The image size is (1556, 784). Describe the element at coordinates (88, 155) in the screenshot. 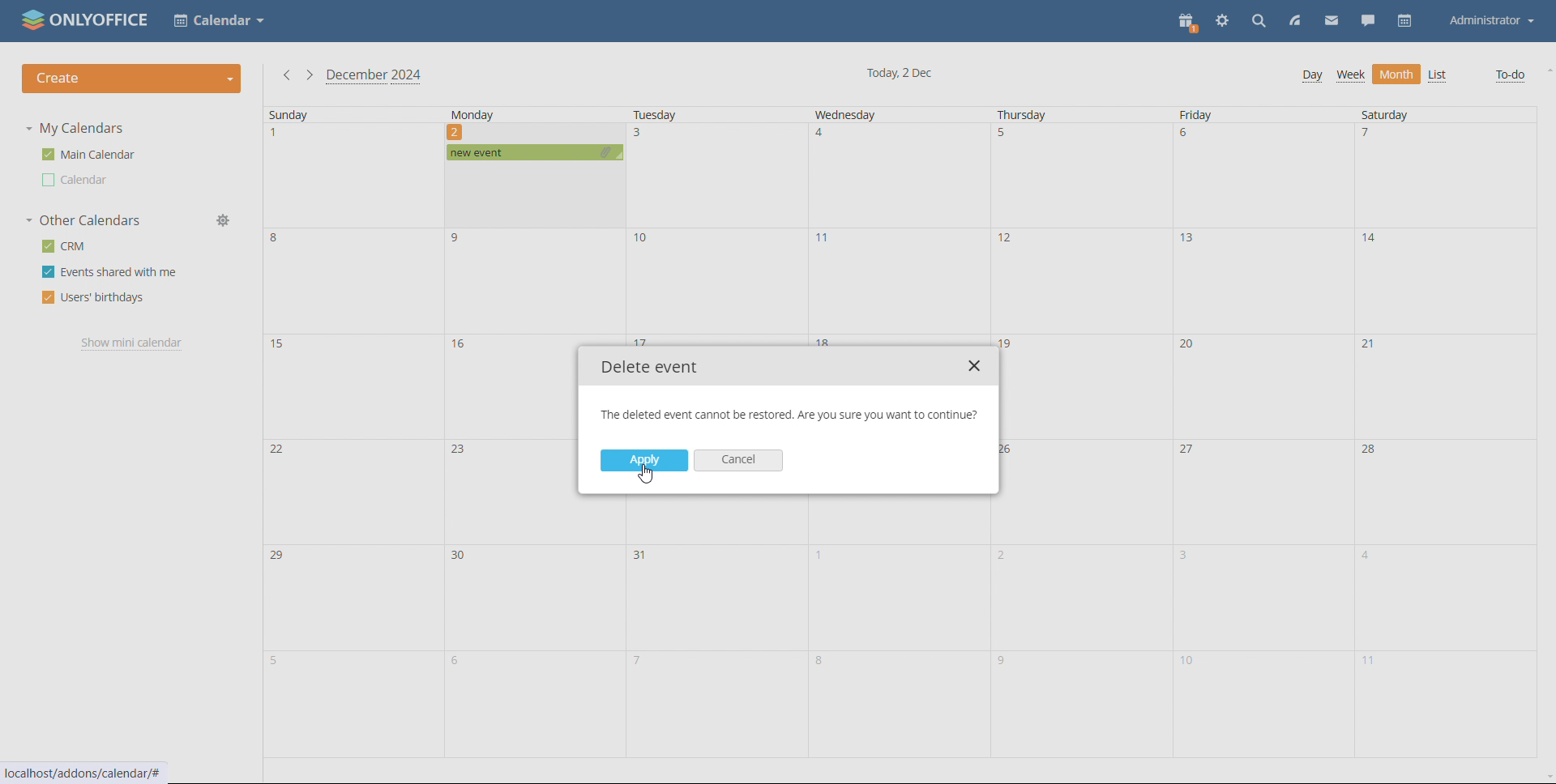

I see `main calendar` at that location.